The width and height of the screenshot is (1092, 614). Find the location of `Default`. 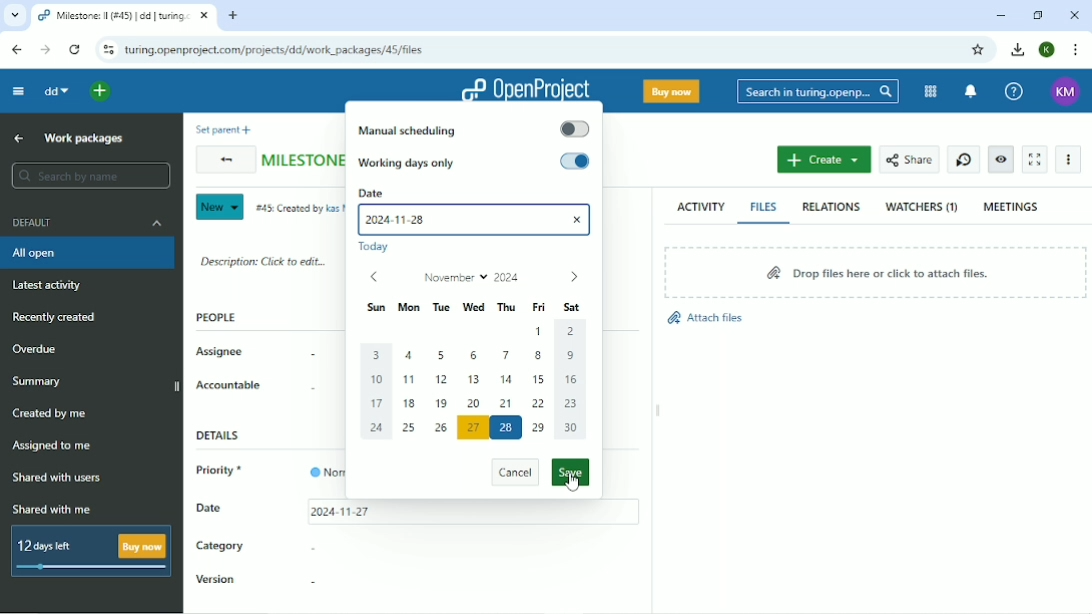

Default is located at coordinates (91, 222).